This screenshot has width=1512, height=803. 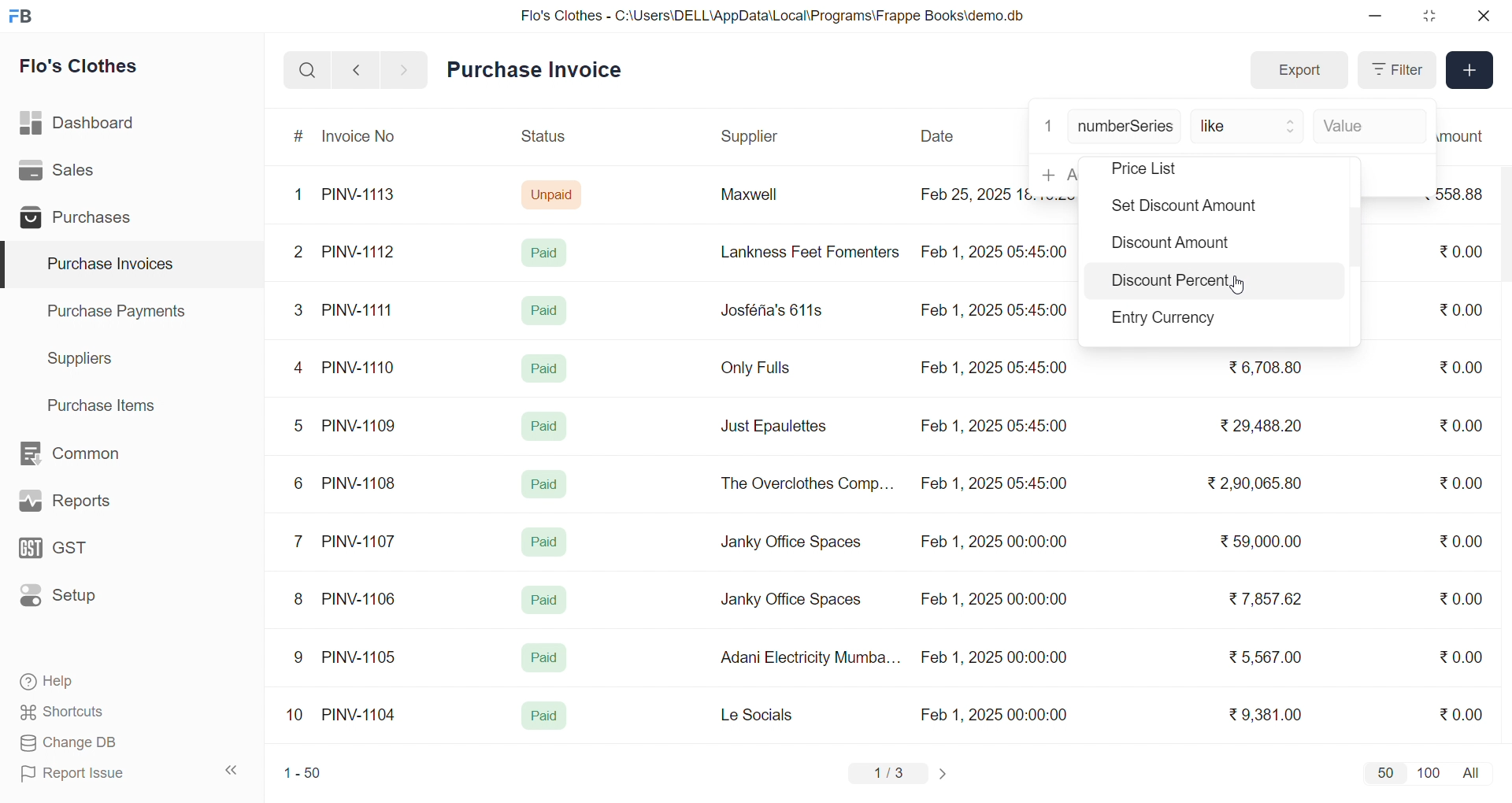 I want to click on PINV-1109, so click(x=361, y=425).